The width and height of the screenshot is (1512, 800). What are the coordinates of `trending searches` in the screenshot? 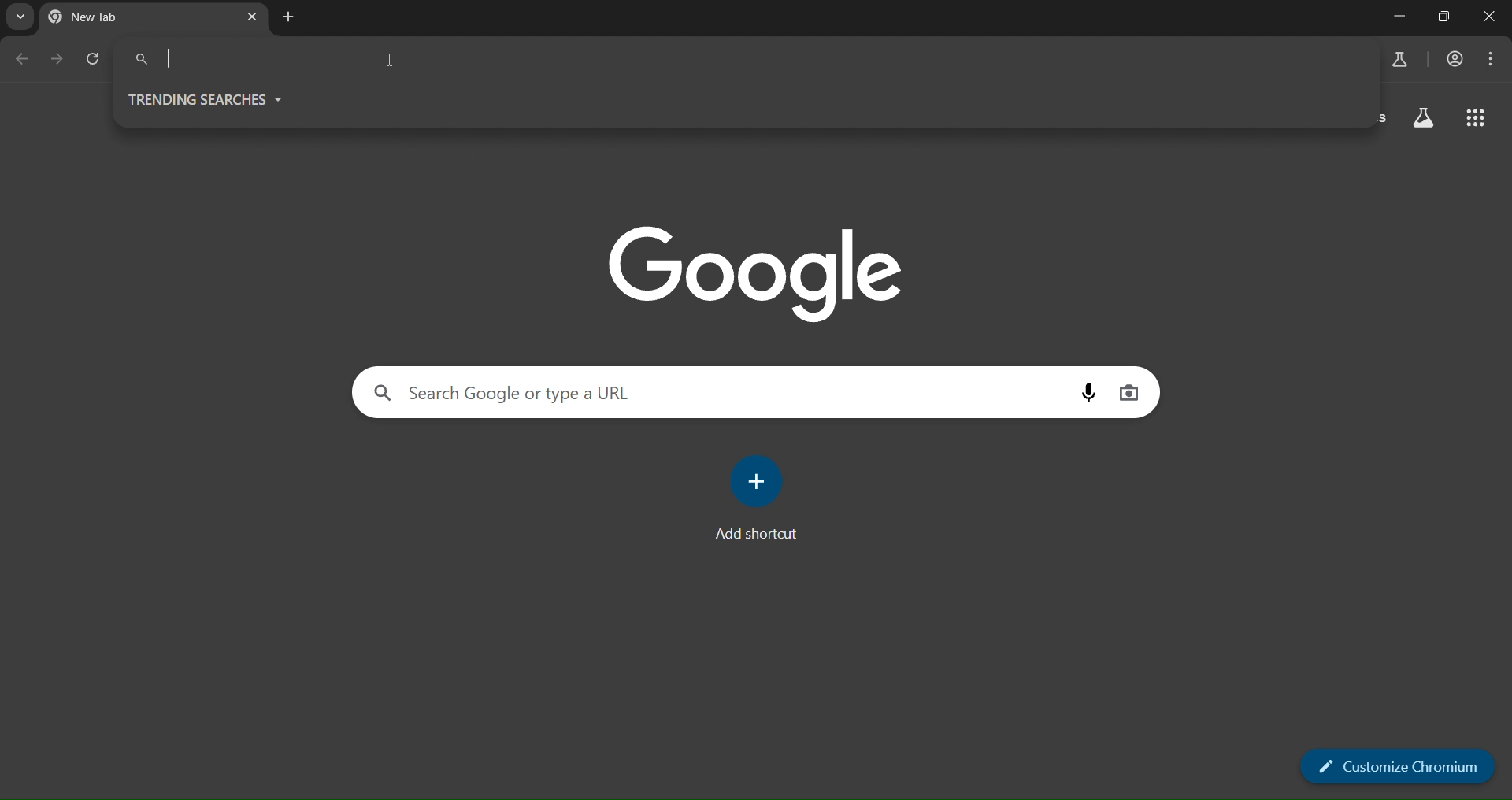 It's located at (207, 99).